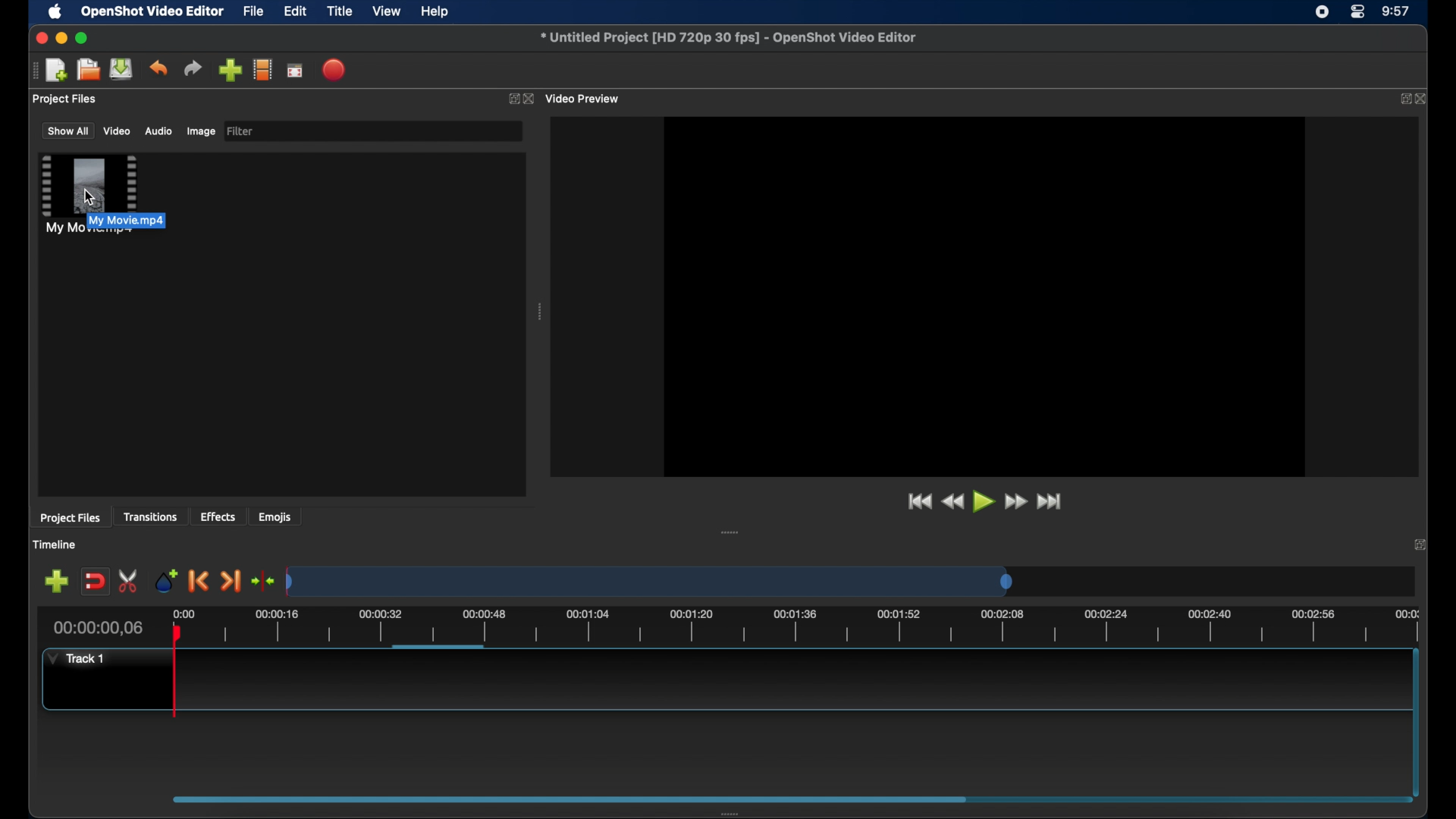 Image resolution: width=1456 pixels, height=819 pixels. I want to click on explore profiles, so click(262, 69).